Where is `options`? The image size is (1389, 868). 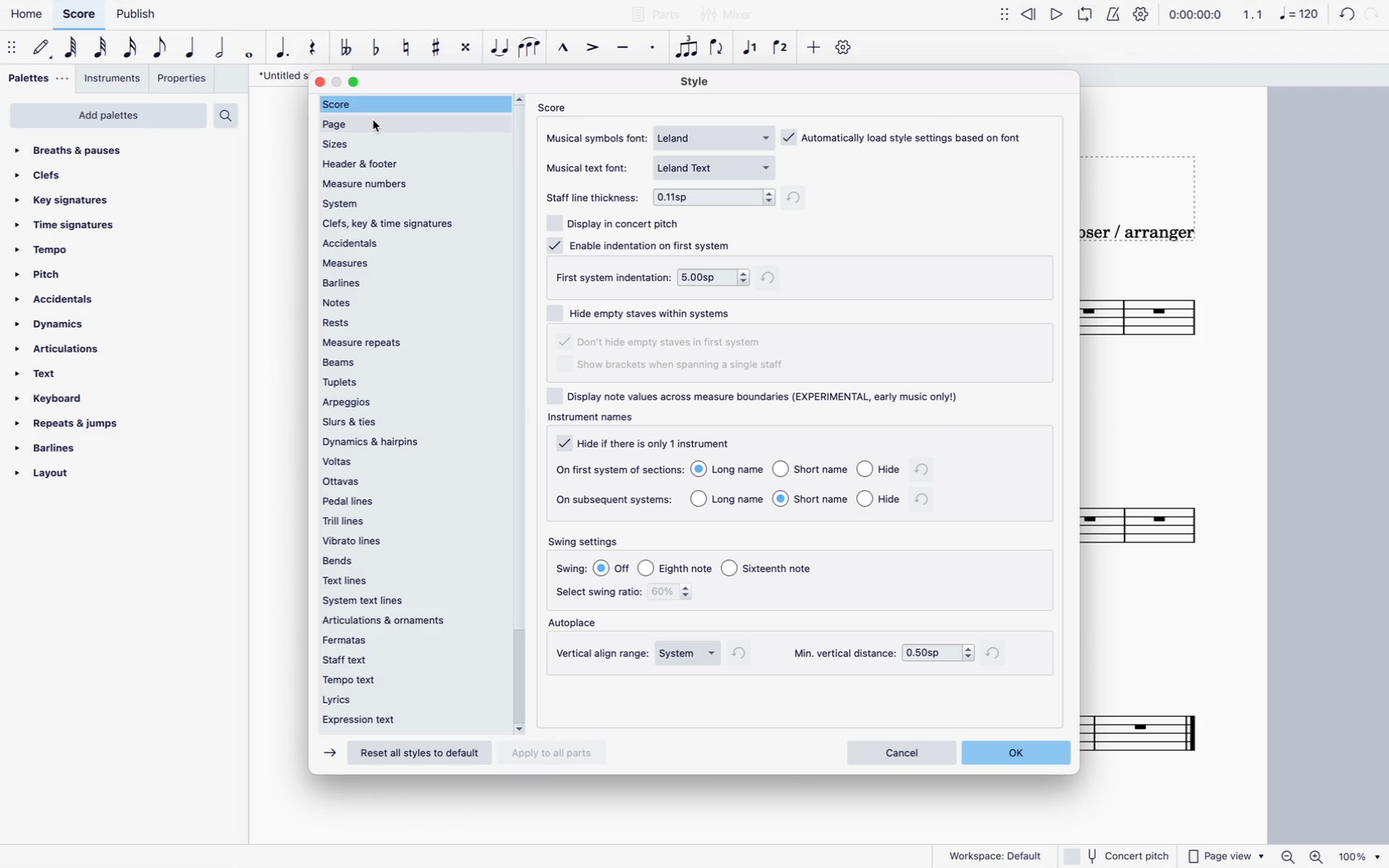
options is located at coordinates (938, 651).